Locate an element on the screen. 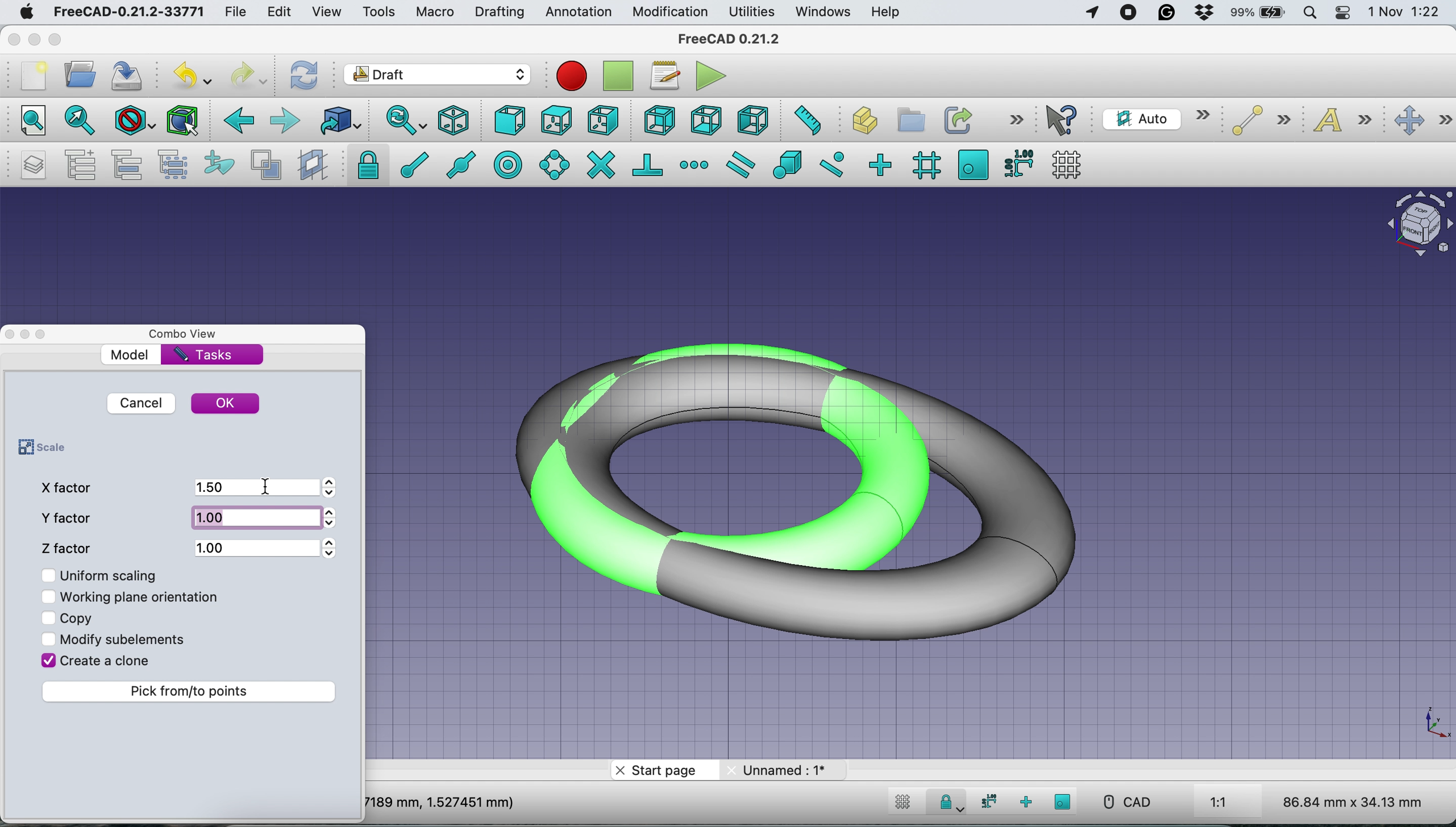 This screenshot has width=1456, height=827. Toggle Overlay is located at coordinates (47, 335).